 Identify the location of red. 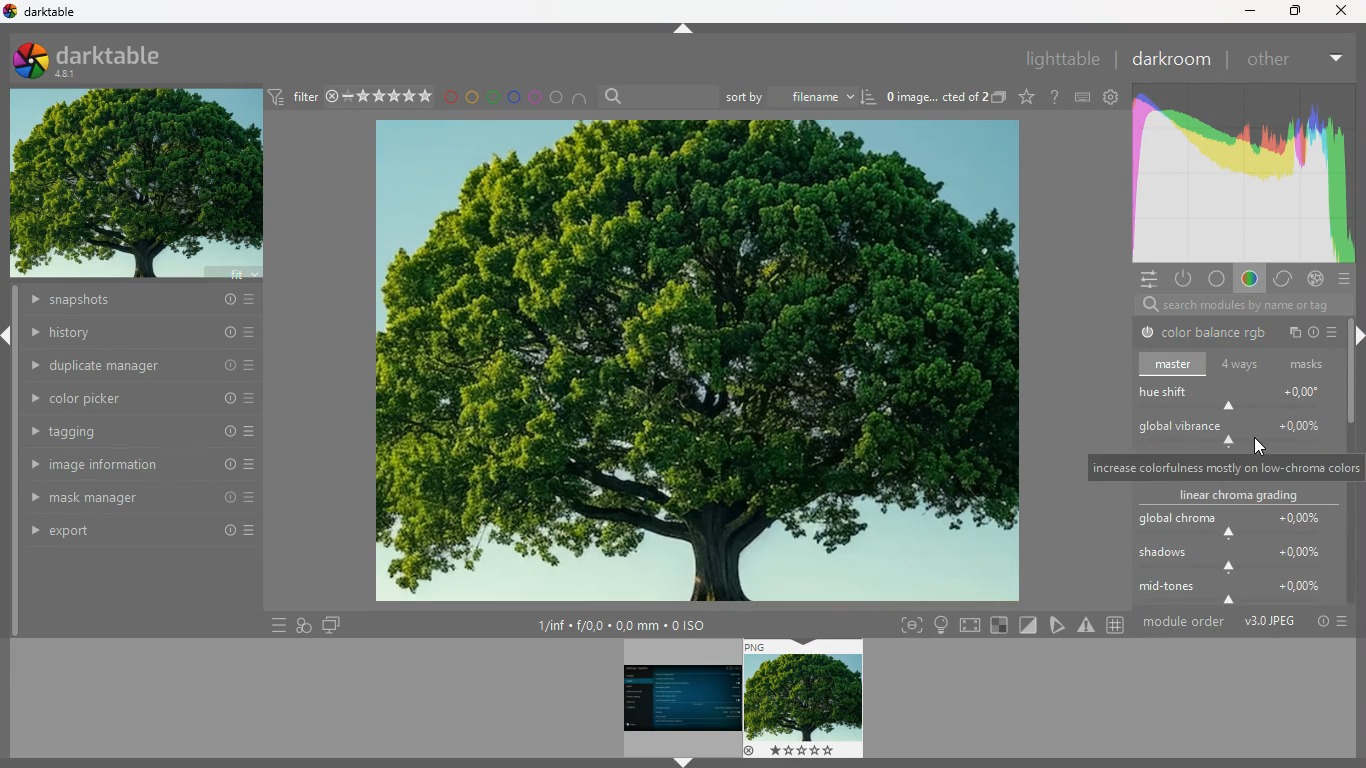
(450, 99).